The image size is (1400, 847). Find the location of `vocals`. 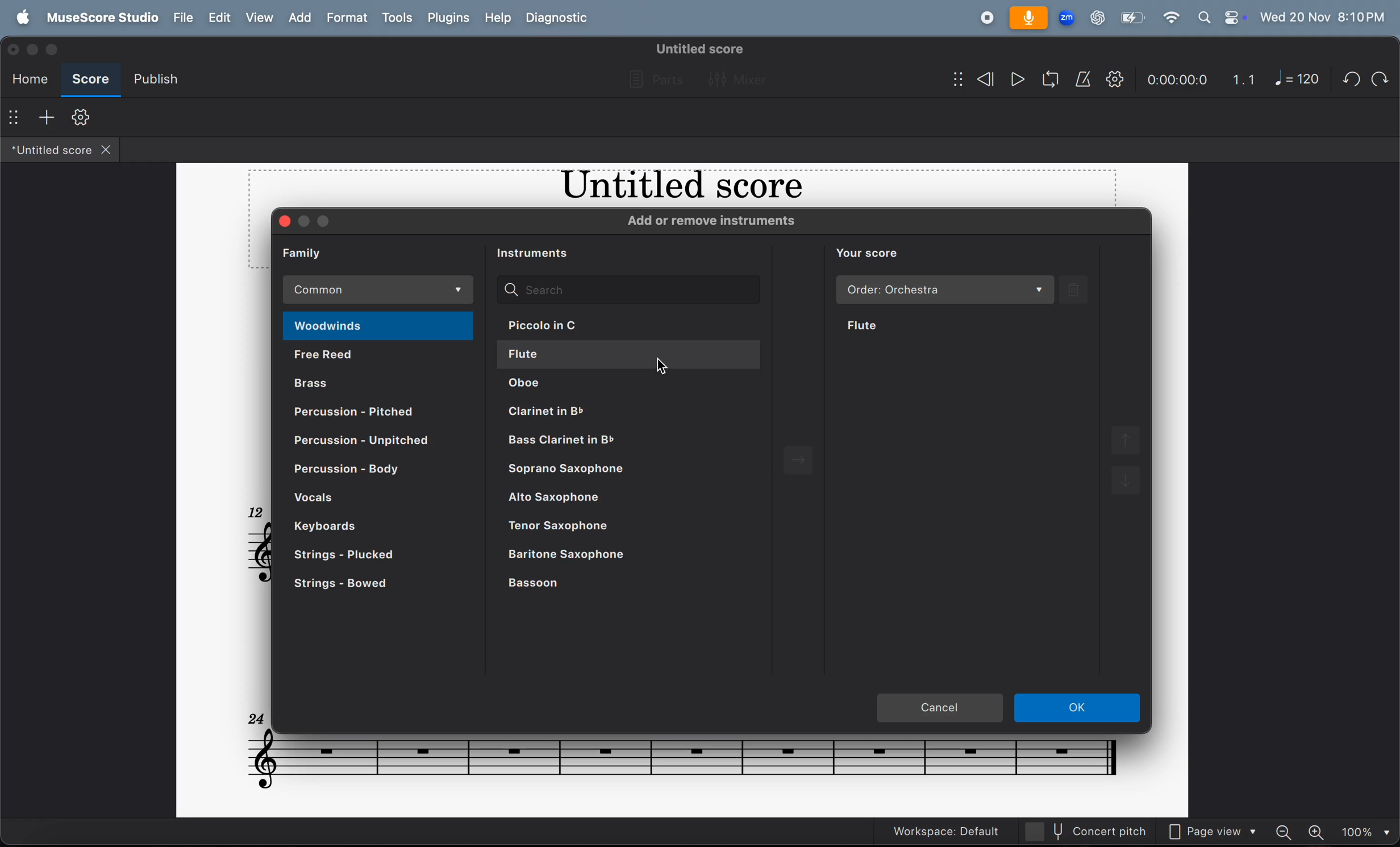

vocals is located at coordinates (369, 499).